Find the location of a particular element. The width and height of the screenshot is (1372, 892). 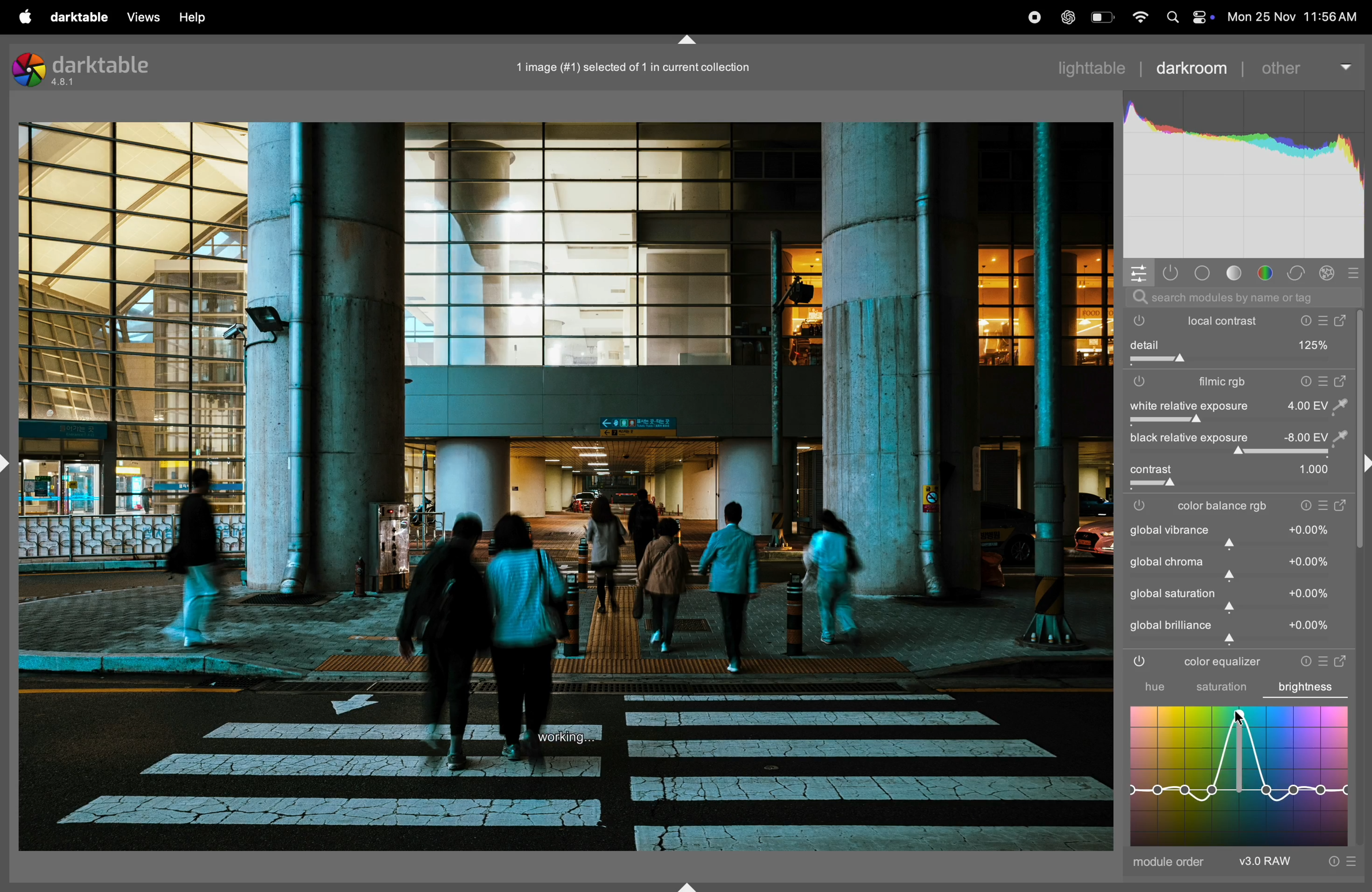

slider is located at coordinates (1242, 544).